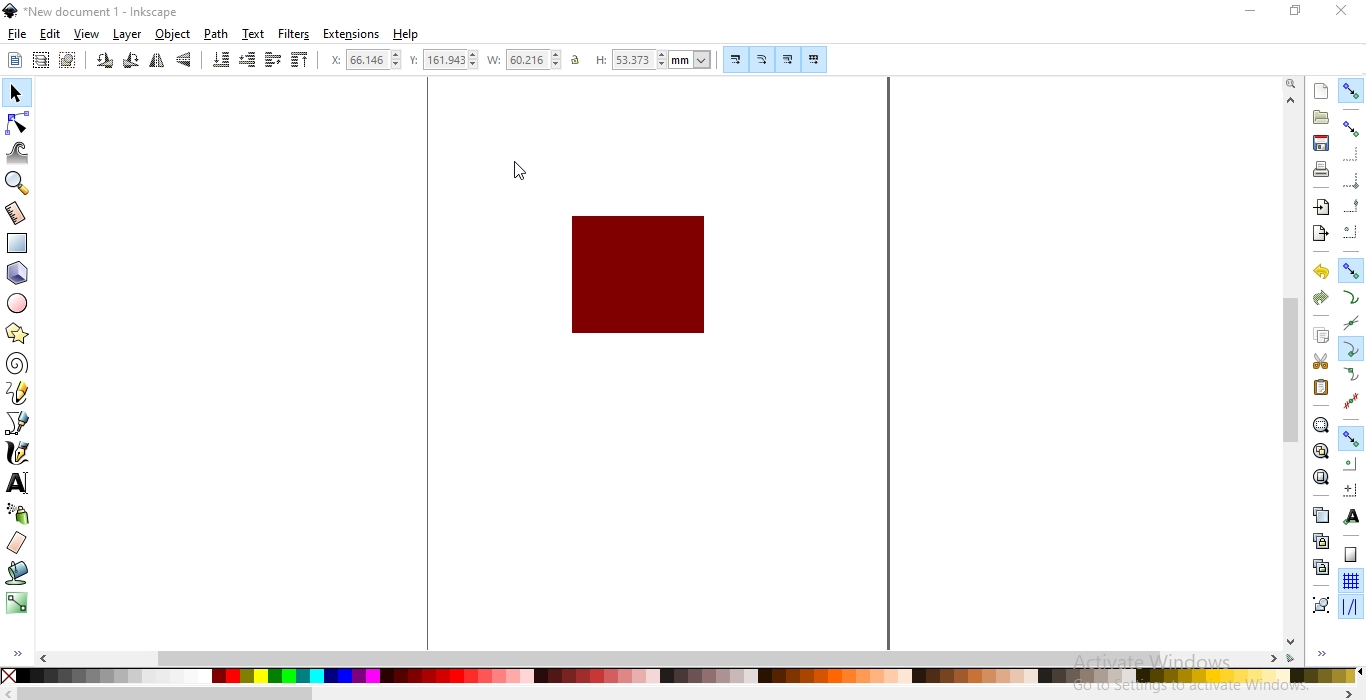 This screenshot has width=1366, height=700. Describe the element at coordinates (1352, 128) in the screenshot. I see `snap bounding boxes` at that location.